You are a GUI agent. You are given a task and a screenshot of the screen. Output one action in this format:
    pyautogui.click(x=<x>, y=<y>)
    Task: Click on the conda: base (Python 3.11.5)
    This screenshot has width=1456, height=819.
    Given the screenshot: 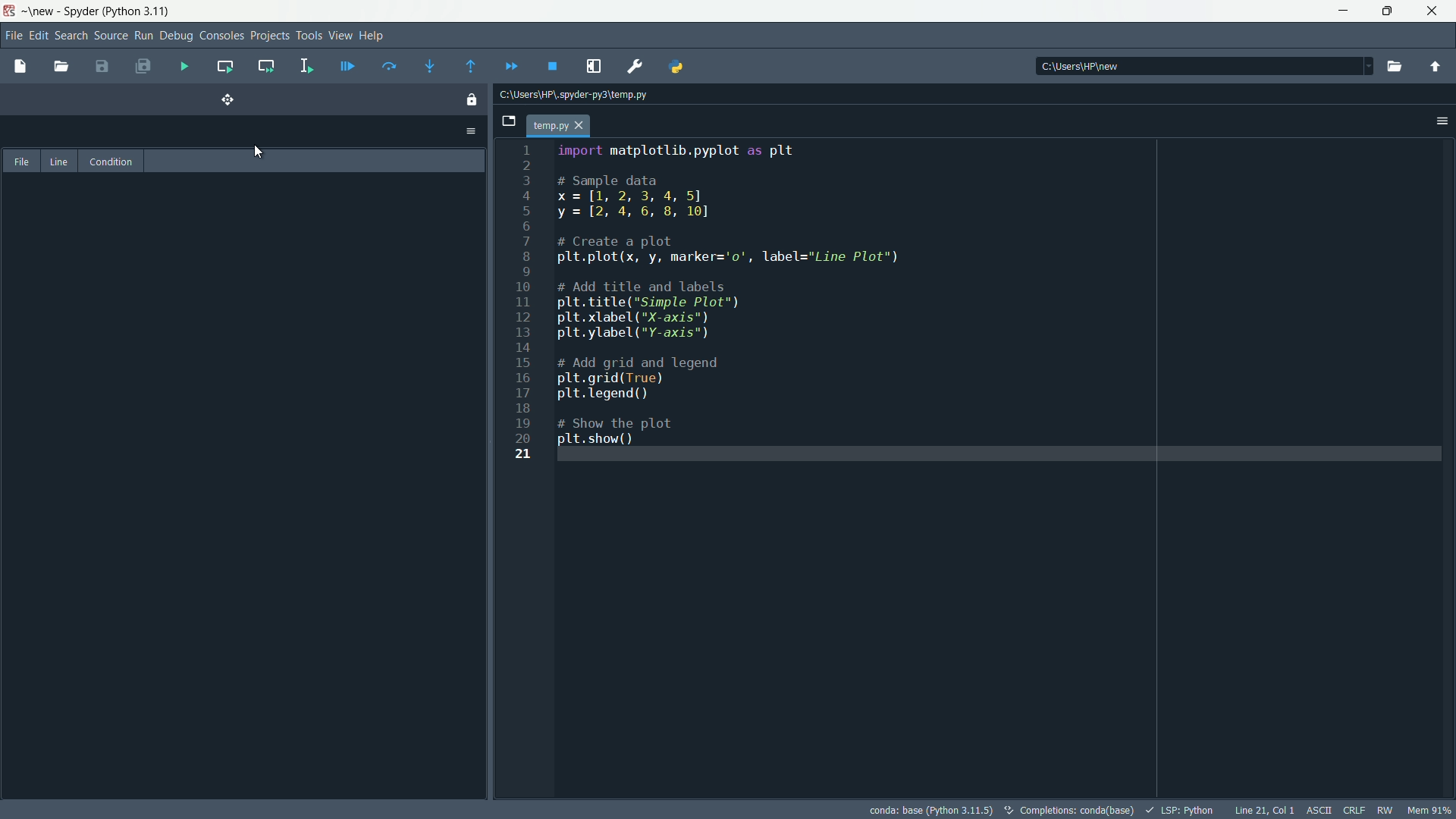 What is the action you would take?
    pyautogui.click(x=931, y=808)
    